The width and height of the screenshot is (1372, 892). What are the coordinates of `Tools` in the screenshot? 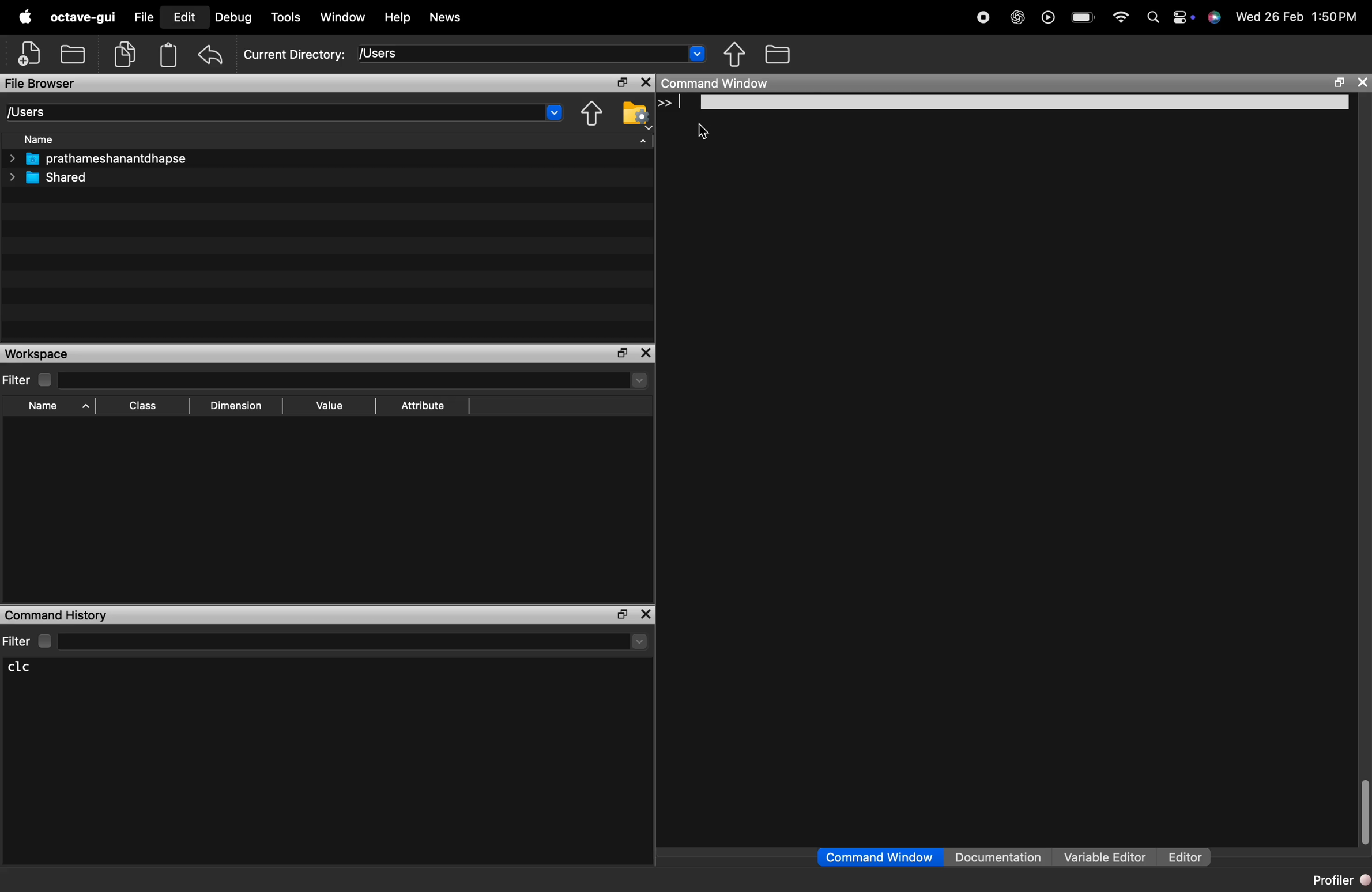 It's located at (287, 18).